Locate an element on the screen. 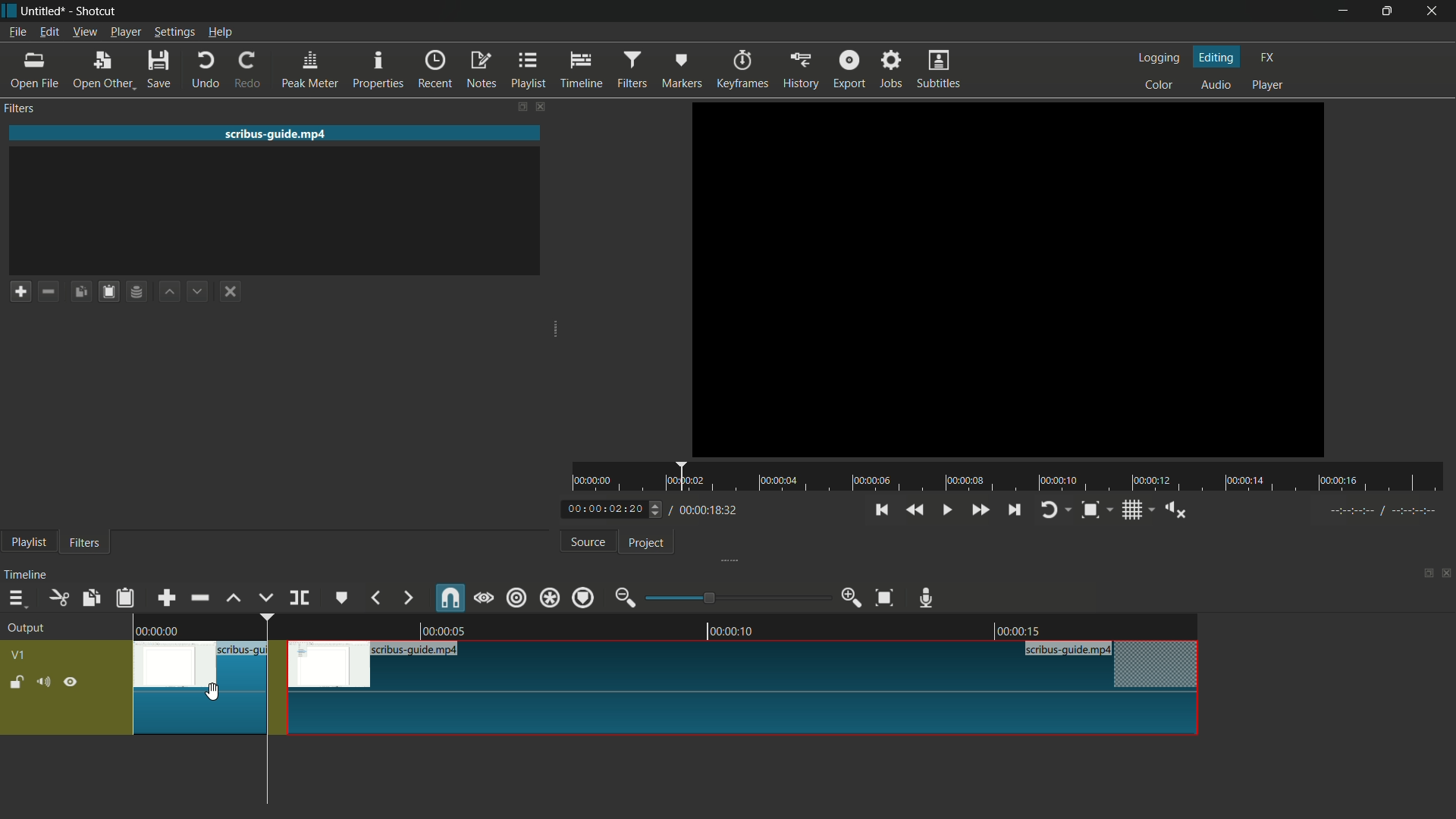 The image size is (1456, 819). peak meter is located at coordinates (311, 69).